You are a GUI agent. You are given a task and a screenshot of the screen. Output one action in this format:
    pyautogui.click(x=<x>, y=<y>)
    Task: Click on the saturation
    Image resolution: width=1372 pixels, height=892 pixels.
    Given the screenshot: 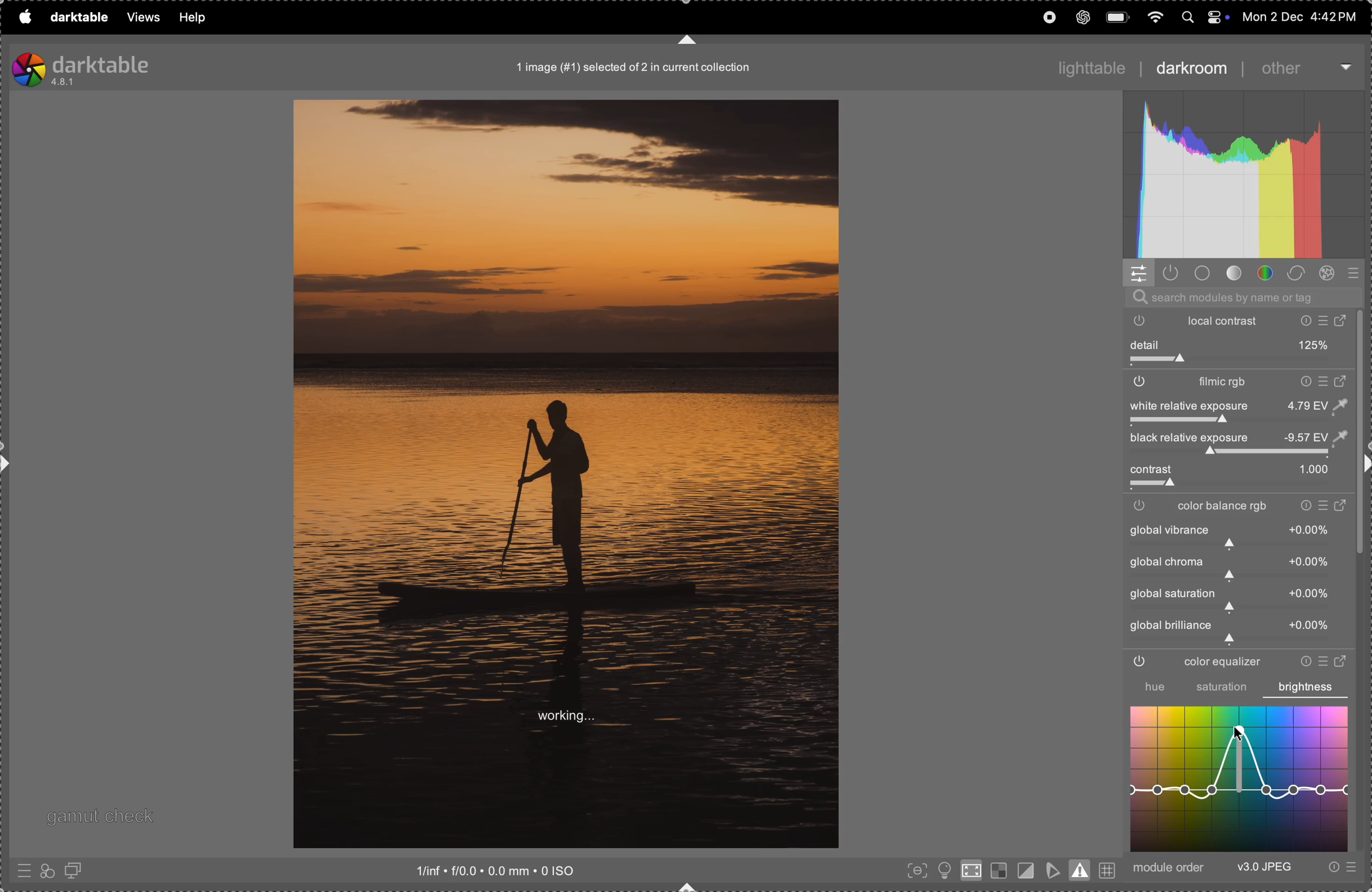 What is the action you would take?
    pyautogui.click(x=1222, y=689)
    